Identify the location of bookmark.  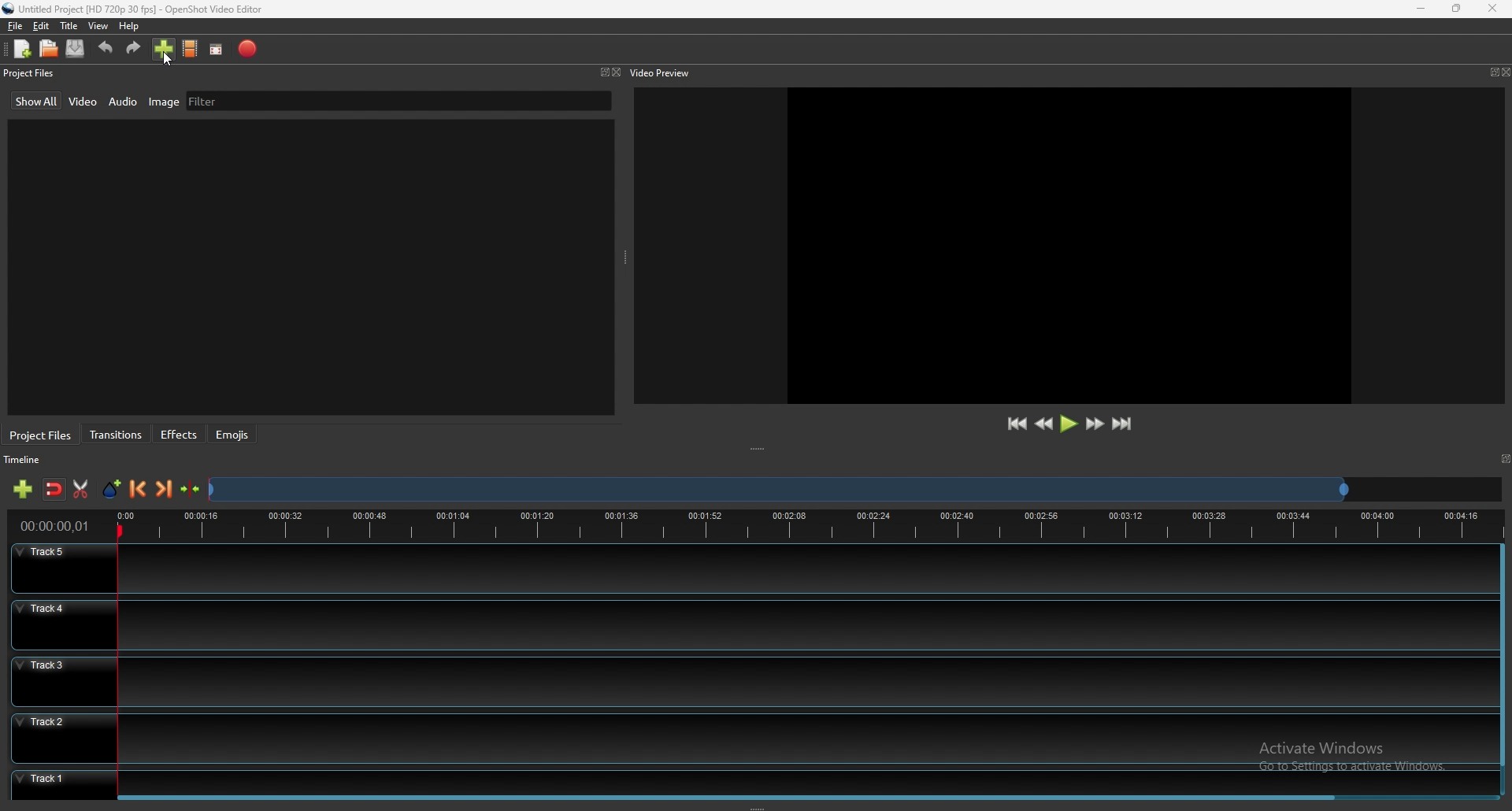
(1504, 457).